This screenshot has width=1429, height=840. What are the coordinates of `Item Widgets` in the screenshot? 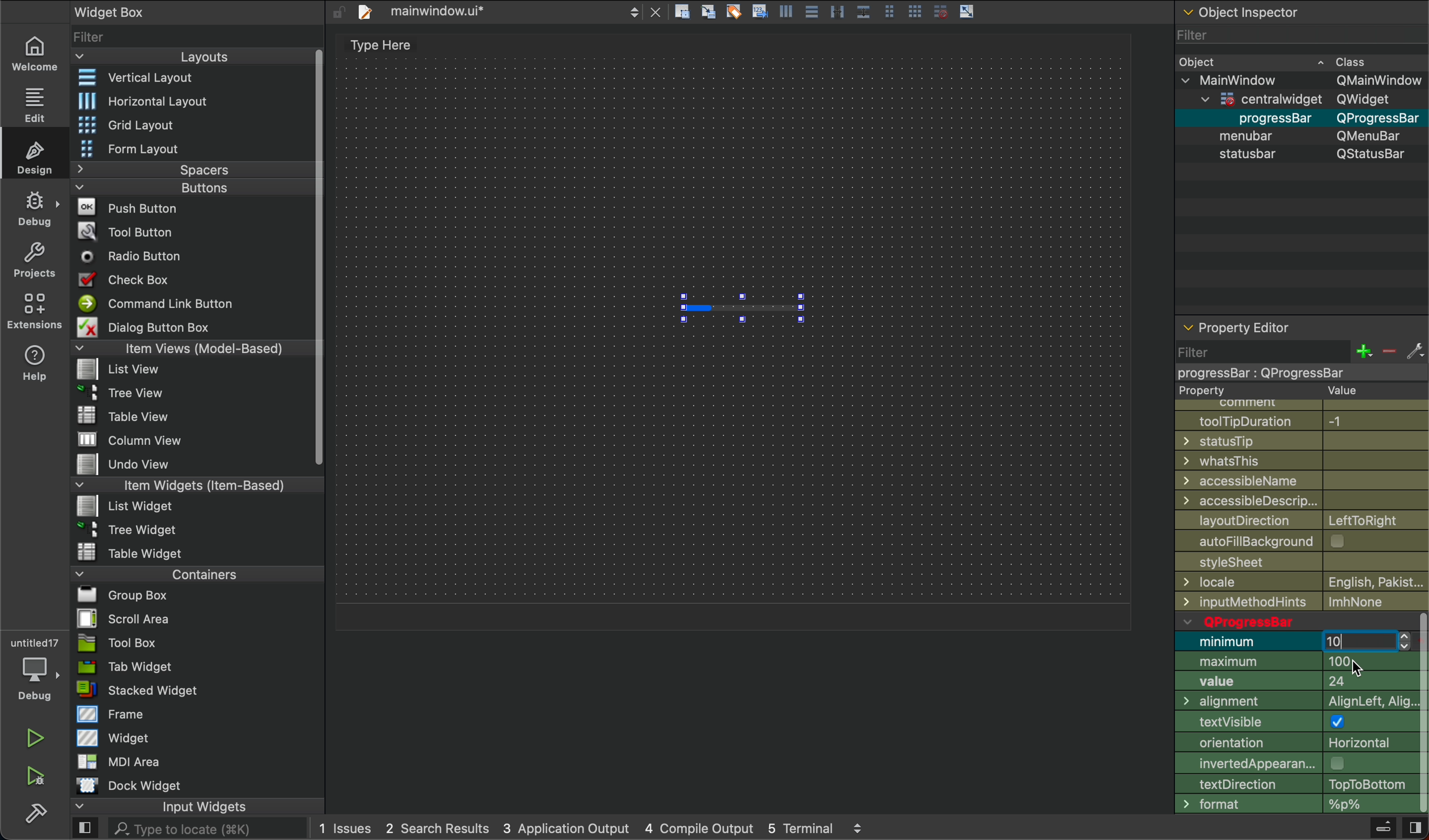 It's located at (179, 484).